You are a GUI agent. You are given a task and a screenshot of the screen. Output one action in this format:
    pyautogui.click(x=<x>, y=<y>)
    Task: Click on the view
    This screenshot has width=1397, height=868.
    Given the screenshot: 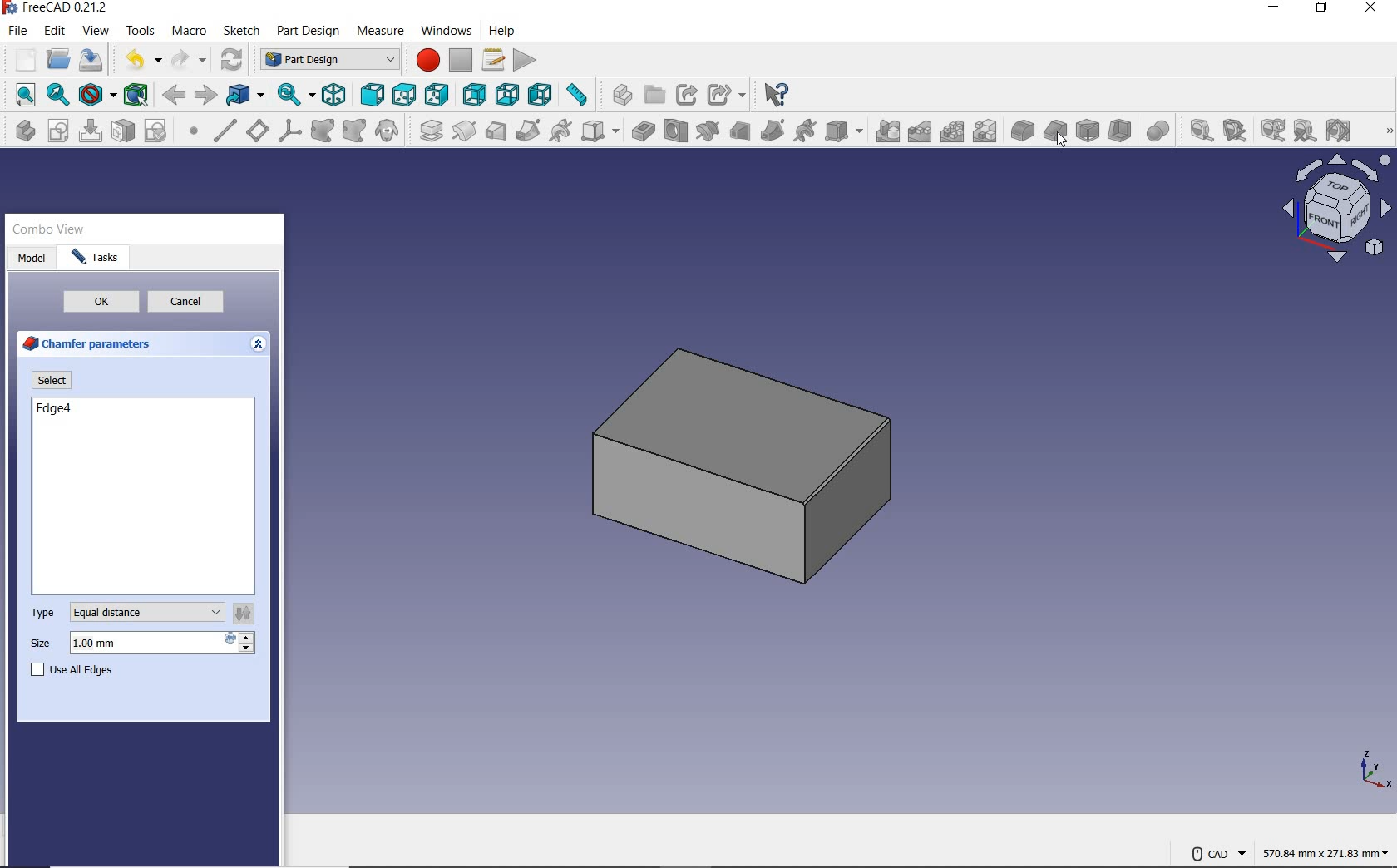 What is the action you would take?
    pyautogui.click(x=97, y=32)
    